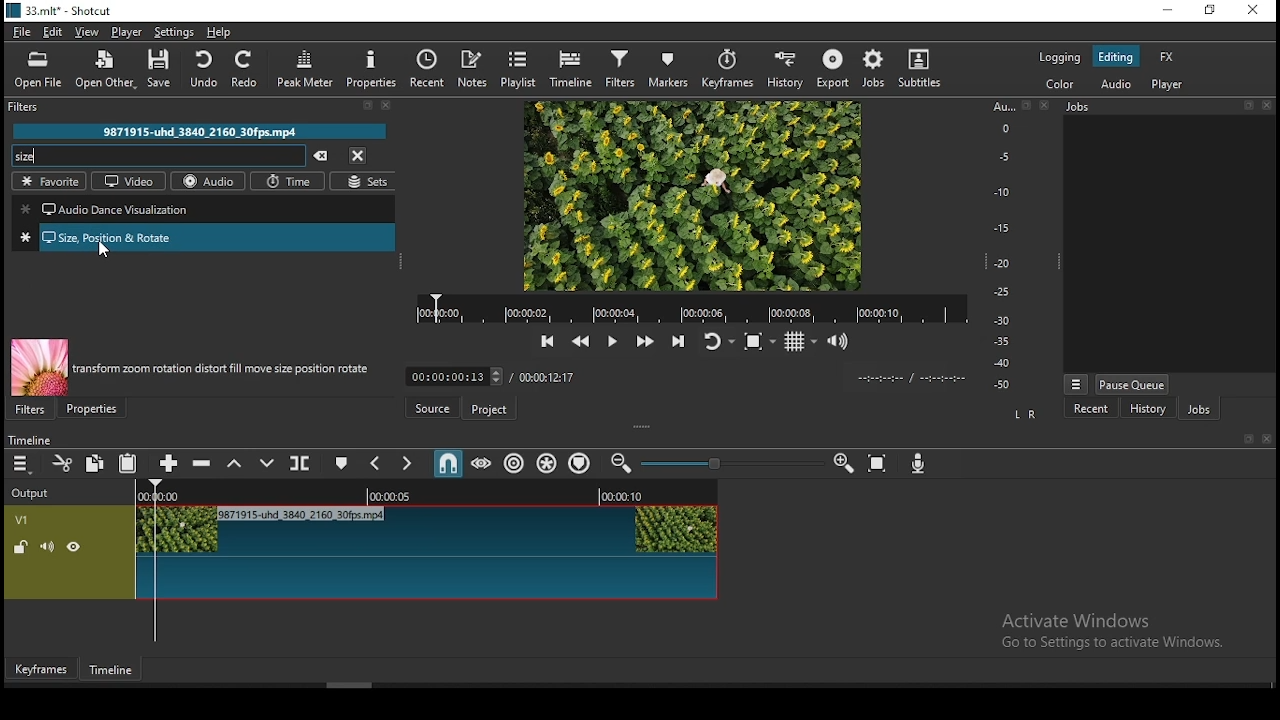 This screenshot has width=1280, height=720. What do you see at coordinates (88, 31) in the screenshot?
I see `view` at bounding box center [88, 31].